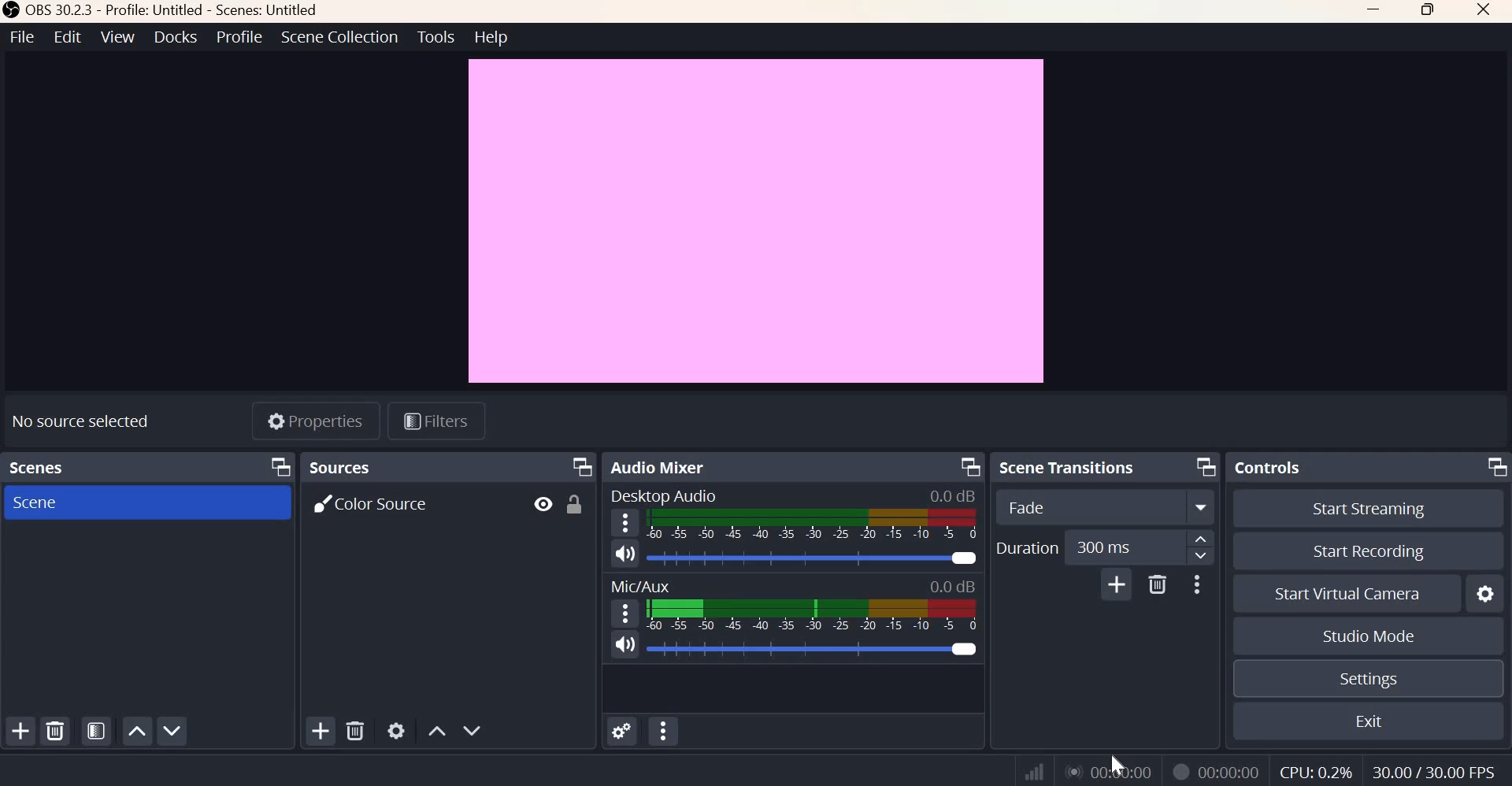 This screenshot has width=1512, height=786. What do you see at coordinates (237, 38) in the screenshot?
I see `Profile` at bounding box center [237, 38].